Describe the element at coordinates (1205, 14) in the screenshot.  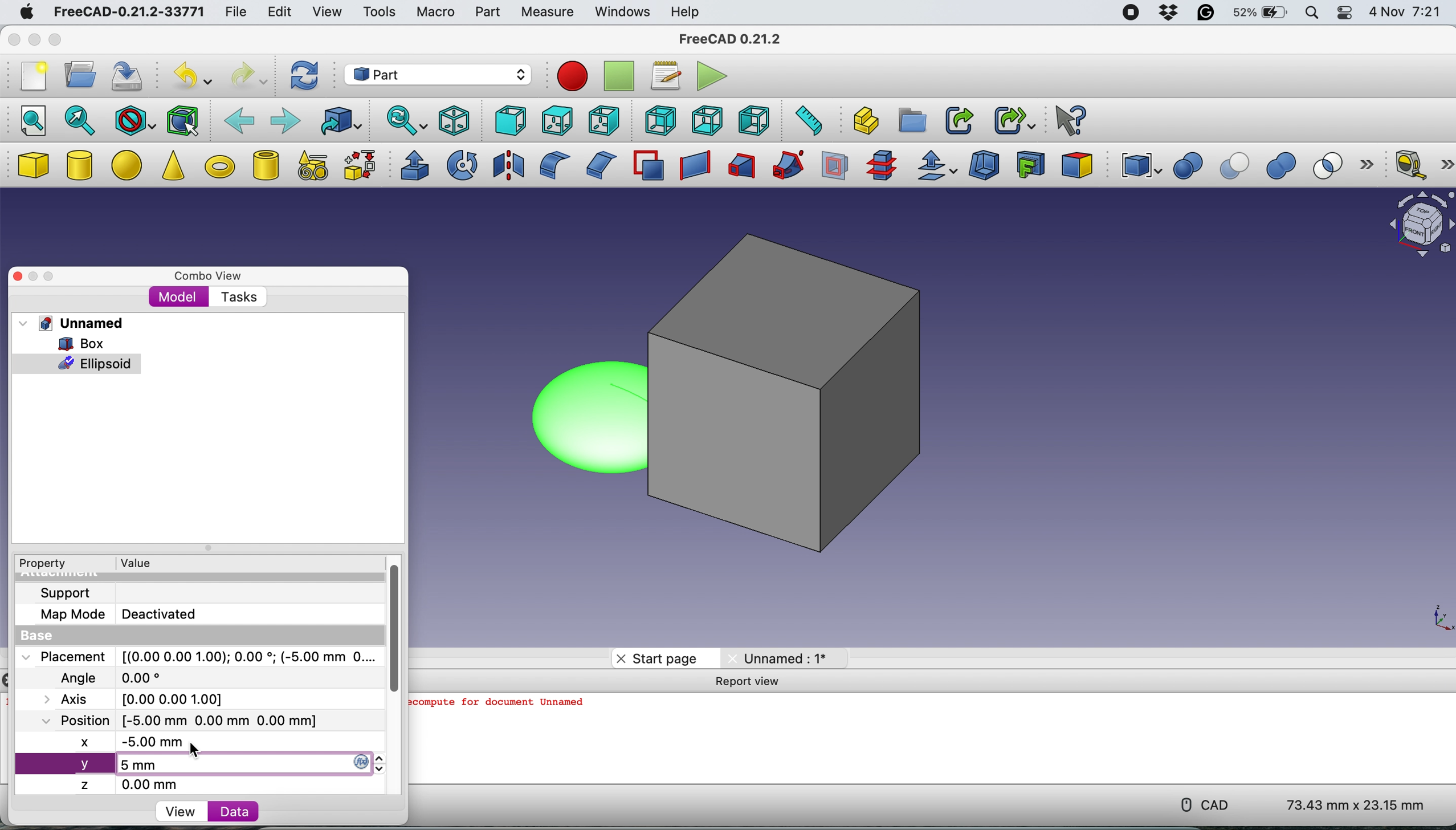
I see `grammarly` at that location.